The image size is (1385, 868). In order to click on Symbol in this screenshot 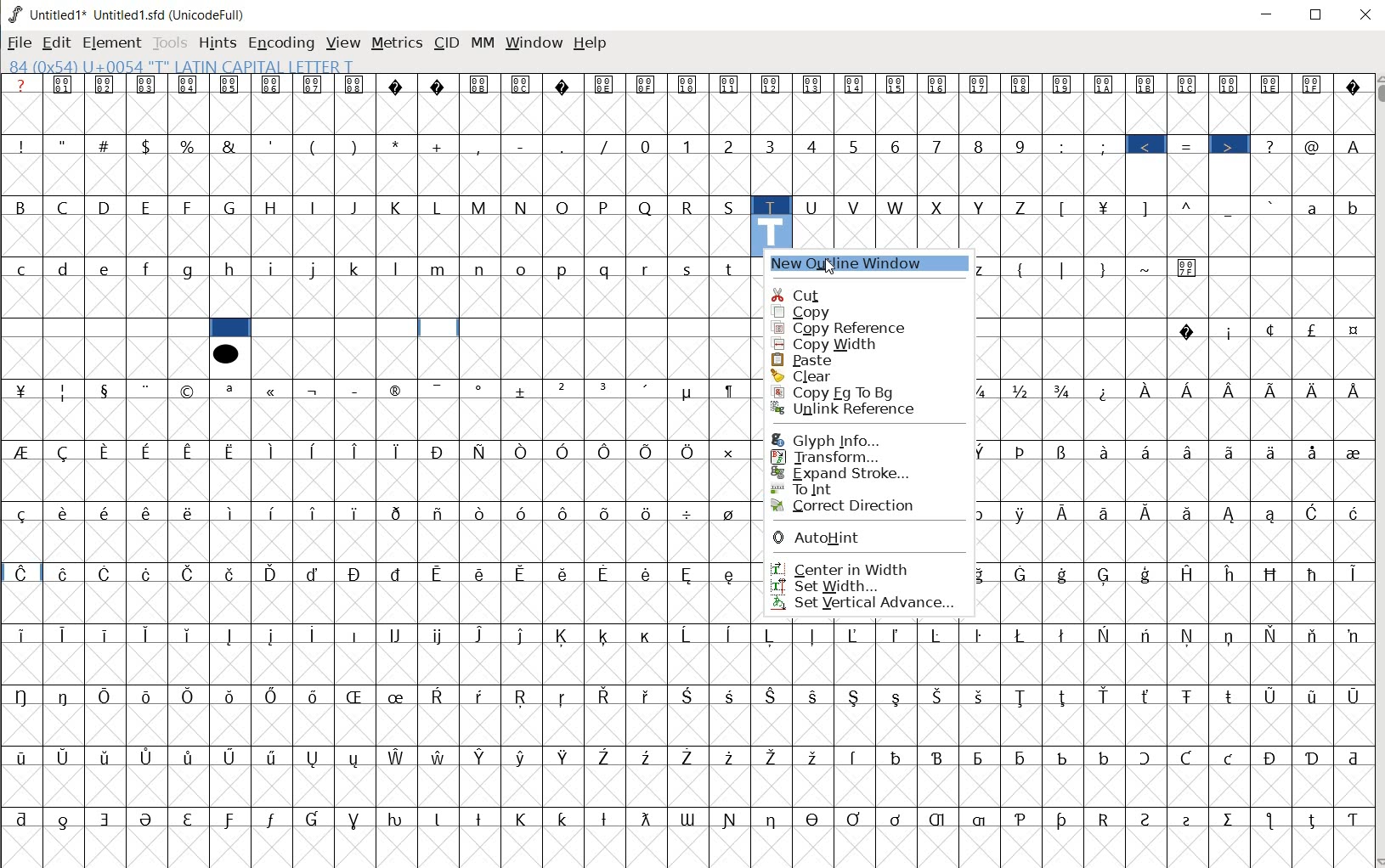, I will do `click(649, 635)`.